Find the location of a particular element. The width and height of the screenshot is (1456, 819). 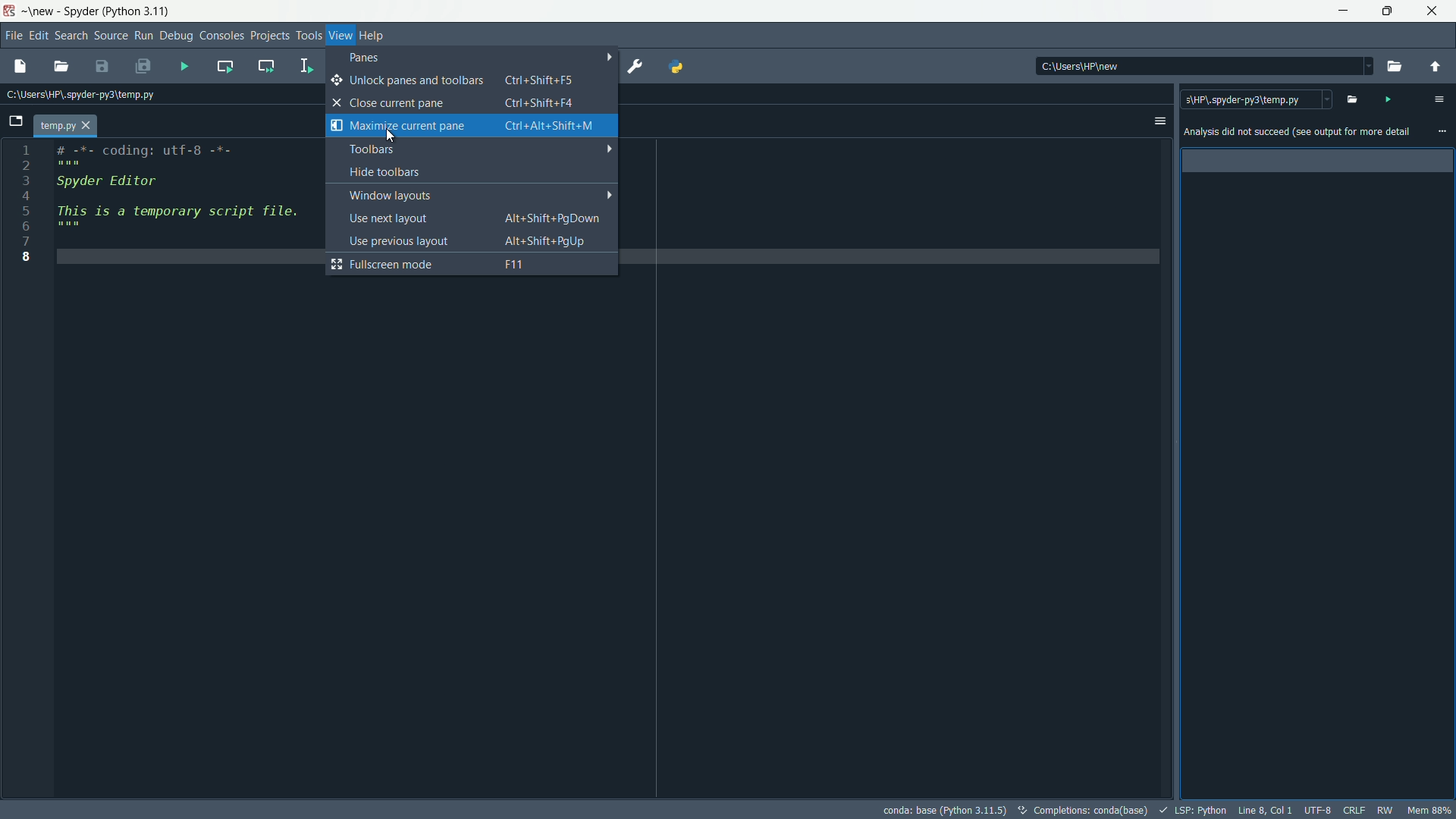

6 is located at coordinates (29, 226).